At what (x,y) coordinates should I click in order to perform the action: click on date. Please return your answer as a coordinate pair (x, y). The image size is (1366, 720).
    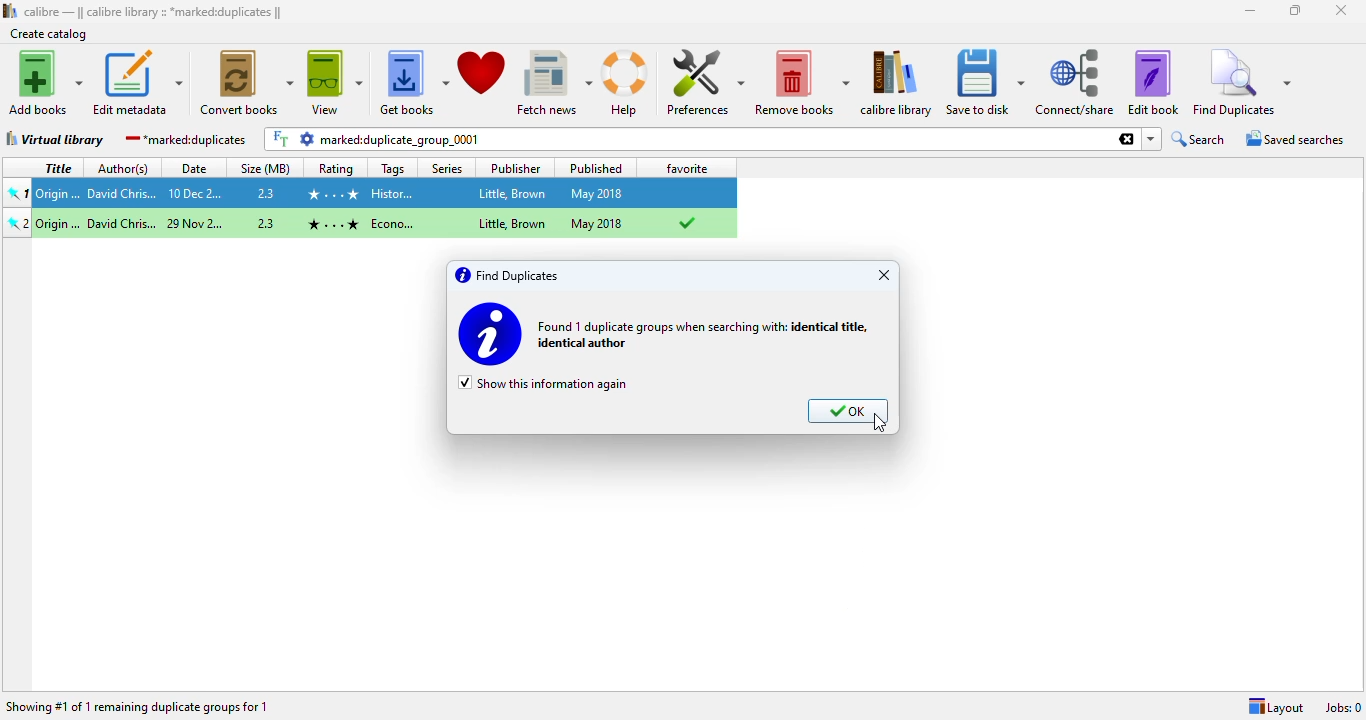
    Looking at the image, I should click on (199, 167).